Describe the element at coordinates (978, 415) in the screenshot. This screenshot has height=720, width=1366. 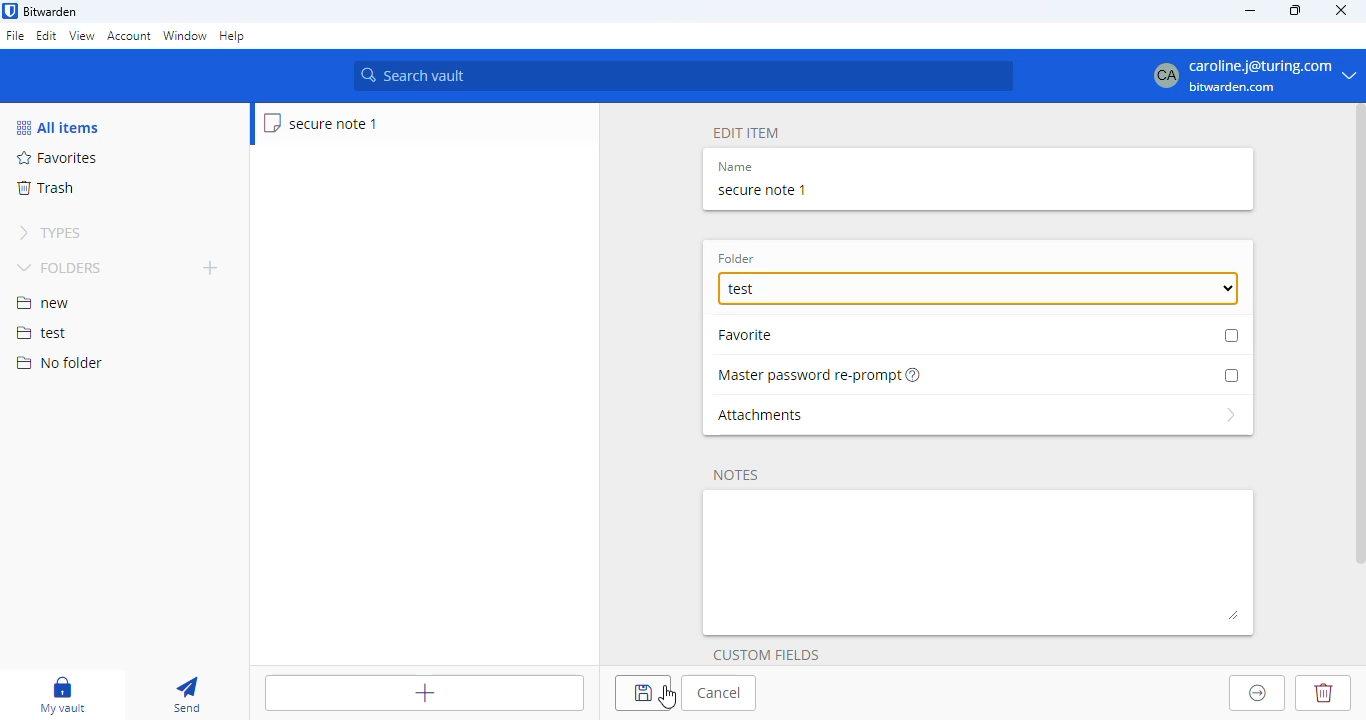
I see `attachments` at that location.